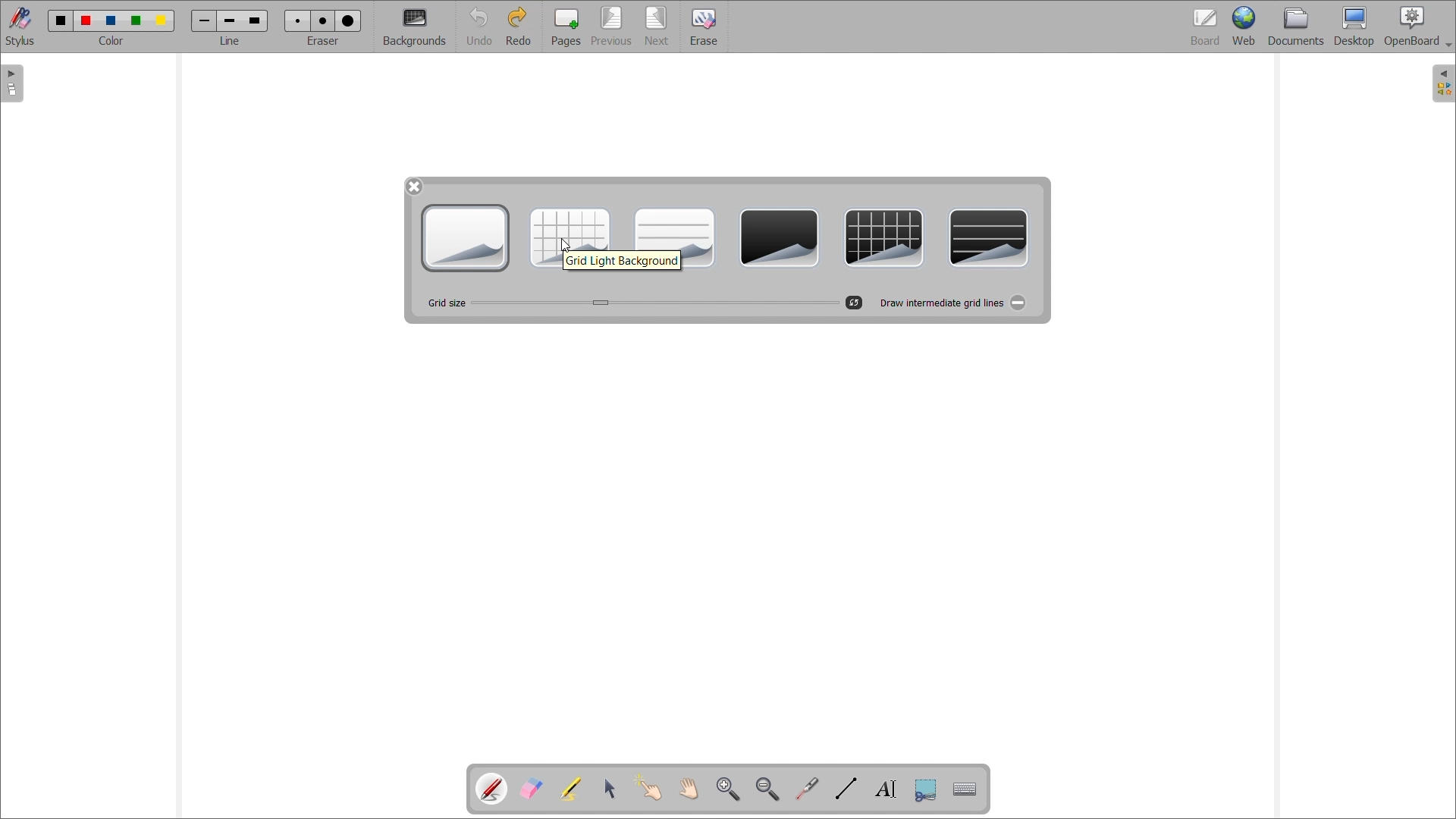 This screenshot has height=819, width=1456. What do you see at coordinates (1354, 27) in the screenshot?
I see `Show desktop` at bounding box center [1354, 27].